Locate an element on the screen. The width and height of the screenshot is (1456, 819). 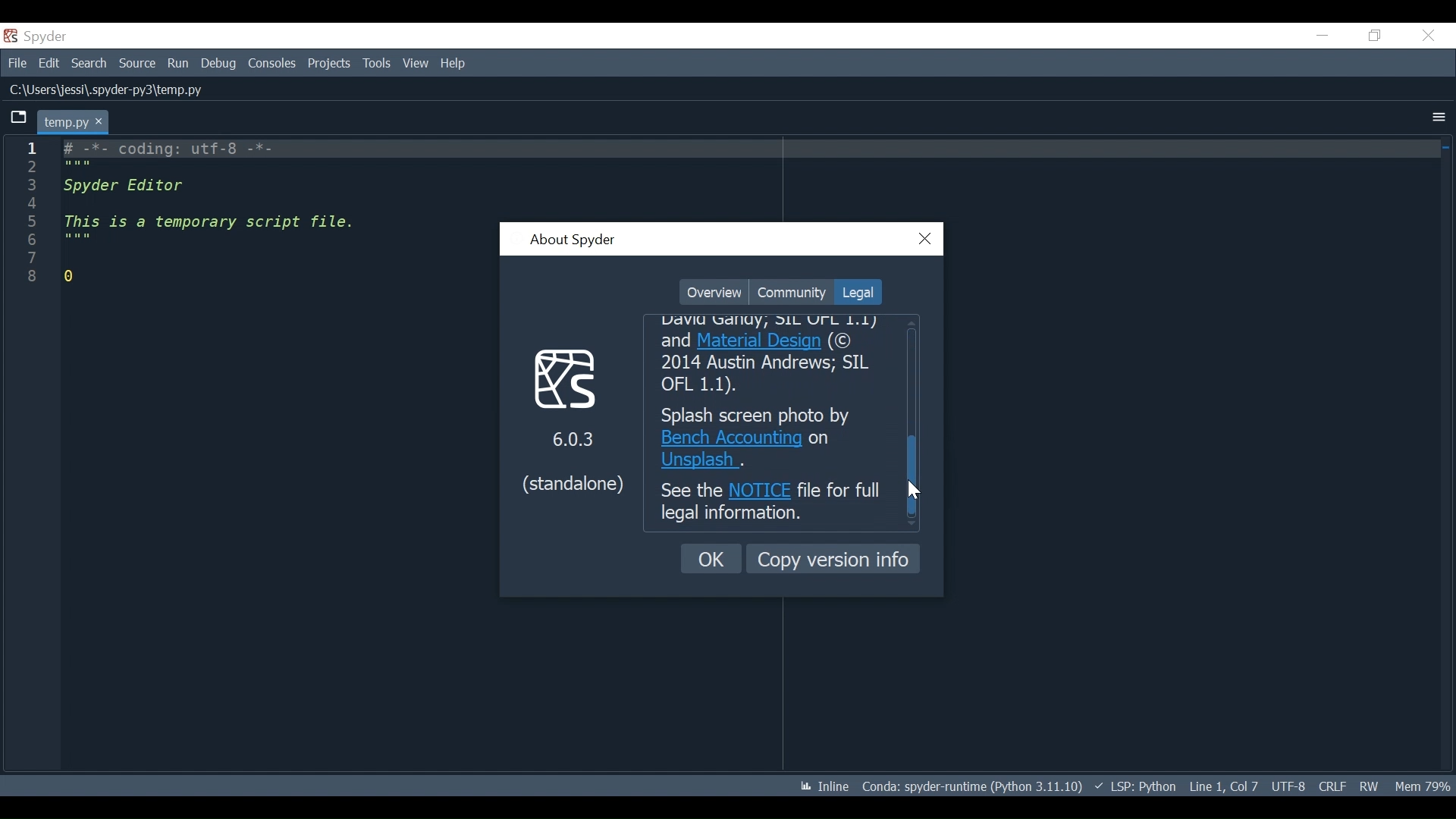
# -*- coding: utf-8 -*-

Spyder Editor

This is a temporary script file.
0 is located at coordinates (197, 213).